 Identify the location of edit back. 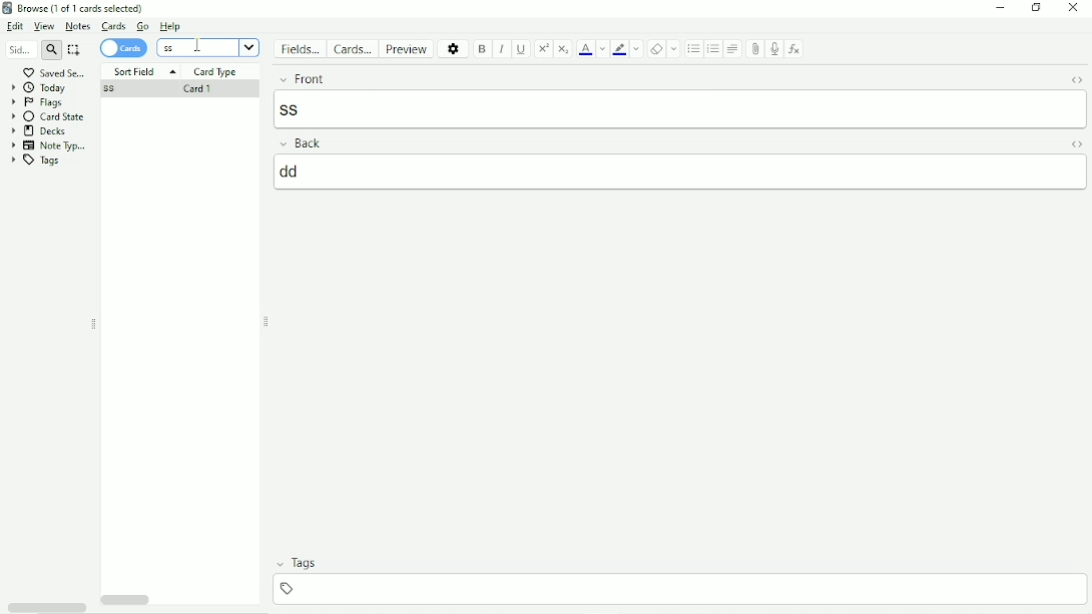
(682, 171).